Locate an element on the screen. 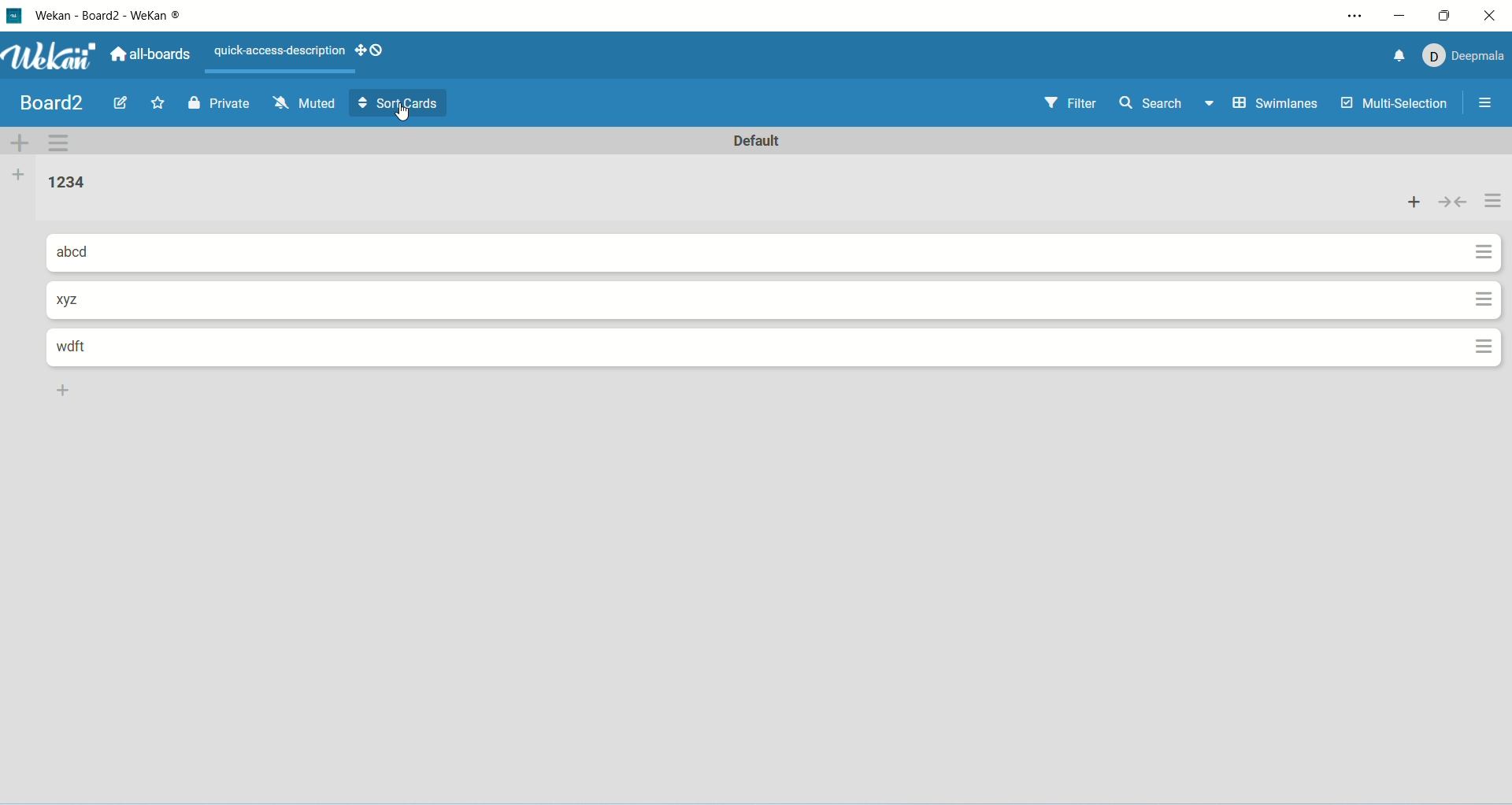  minimize is located at coordinates (1399, 14).